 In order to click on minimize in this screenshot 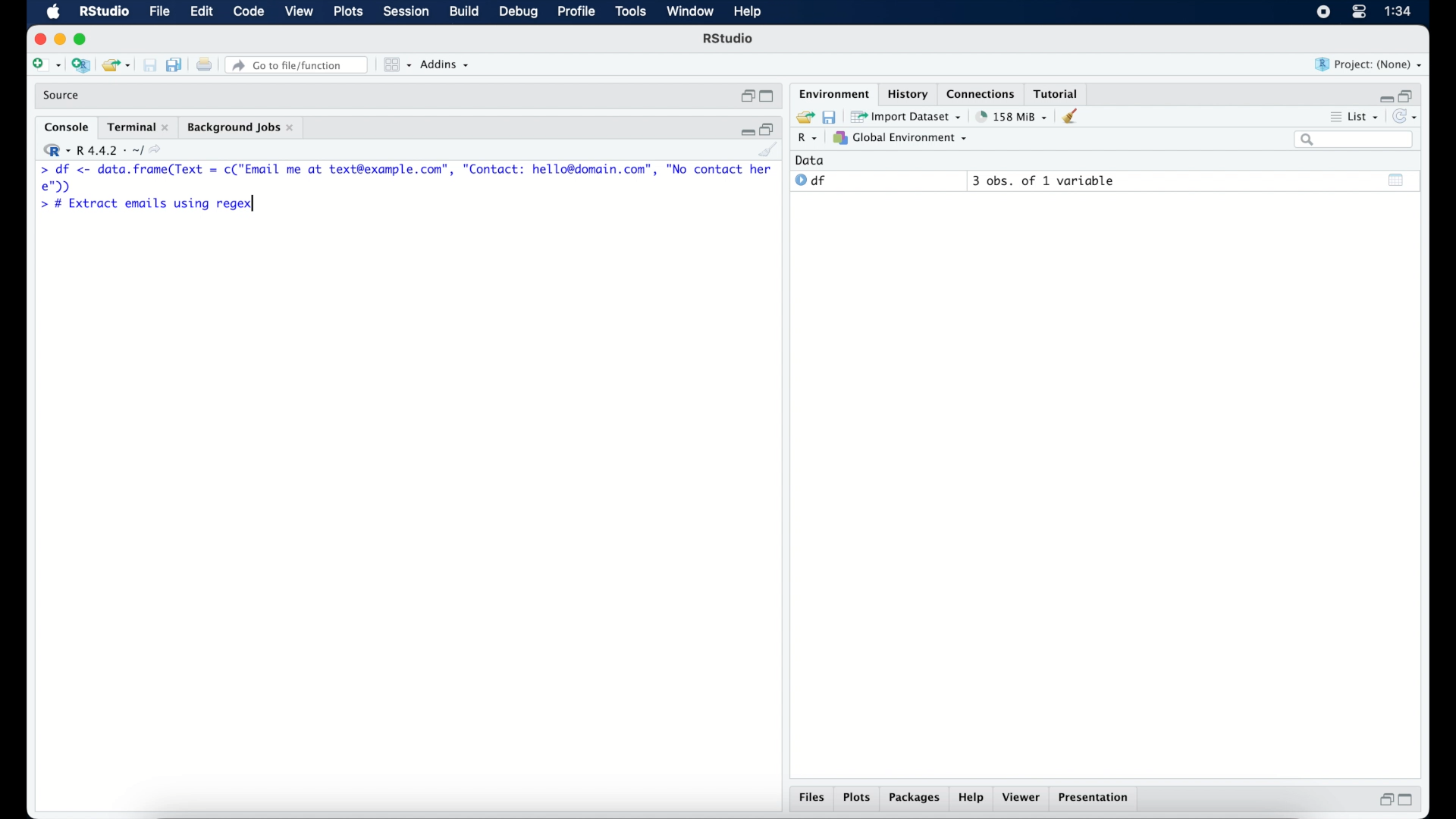, I will do `click(1386, 96)`.